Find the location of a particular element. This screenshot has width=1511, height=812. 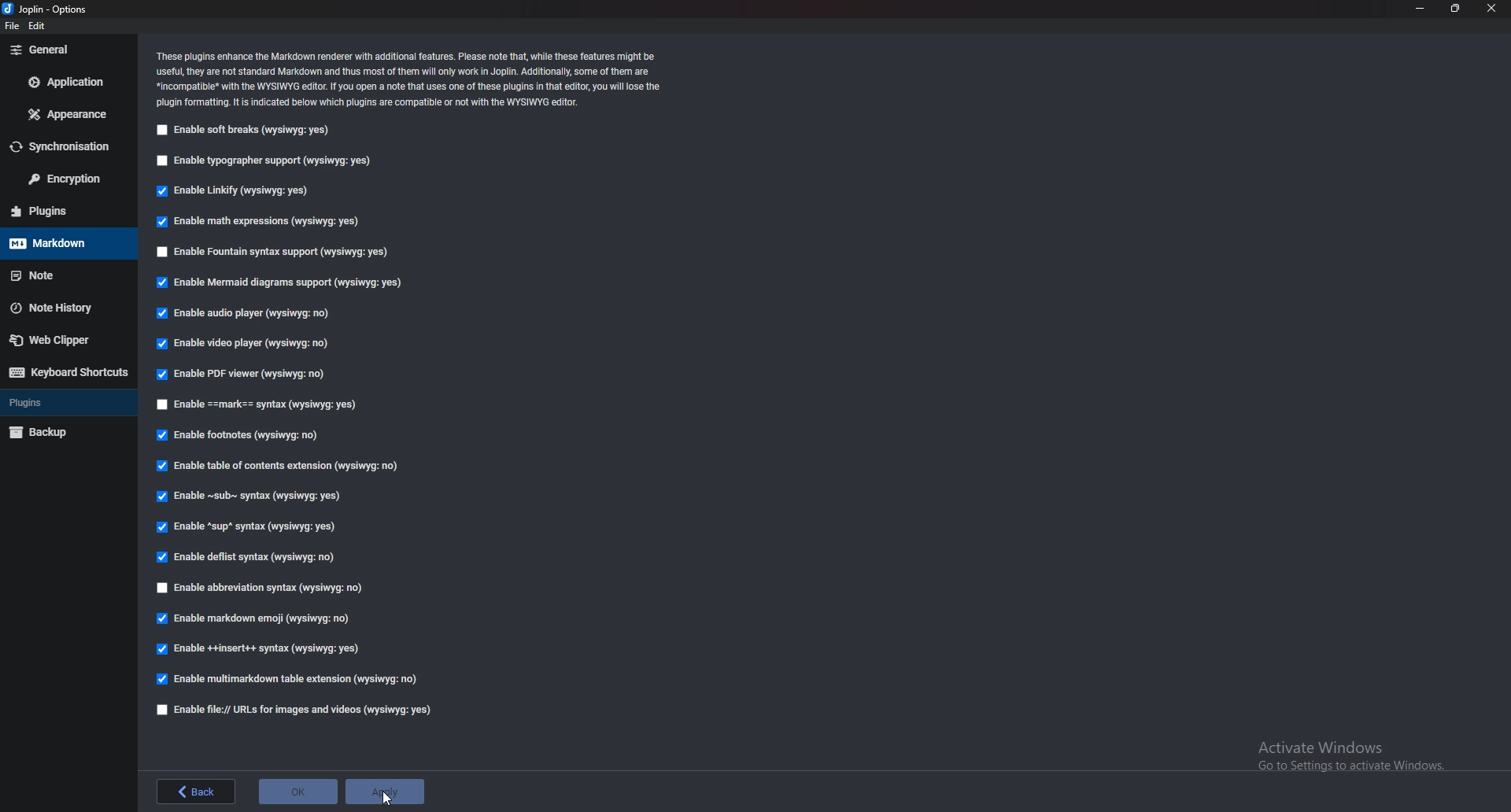

enable sub syntax is located at coordinates (250, 500).